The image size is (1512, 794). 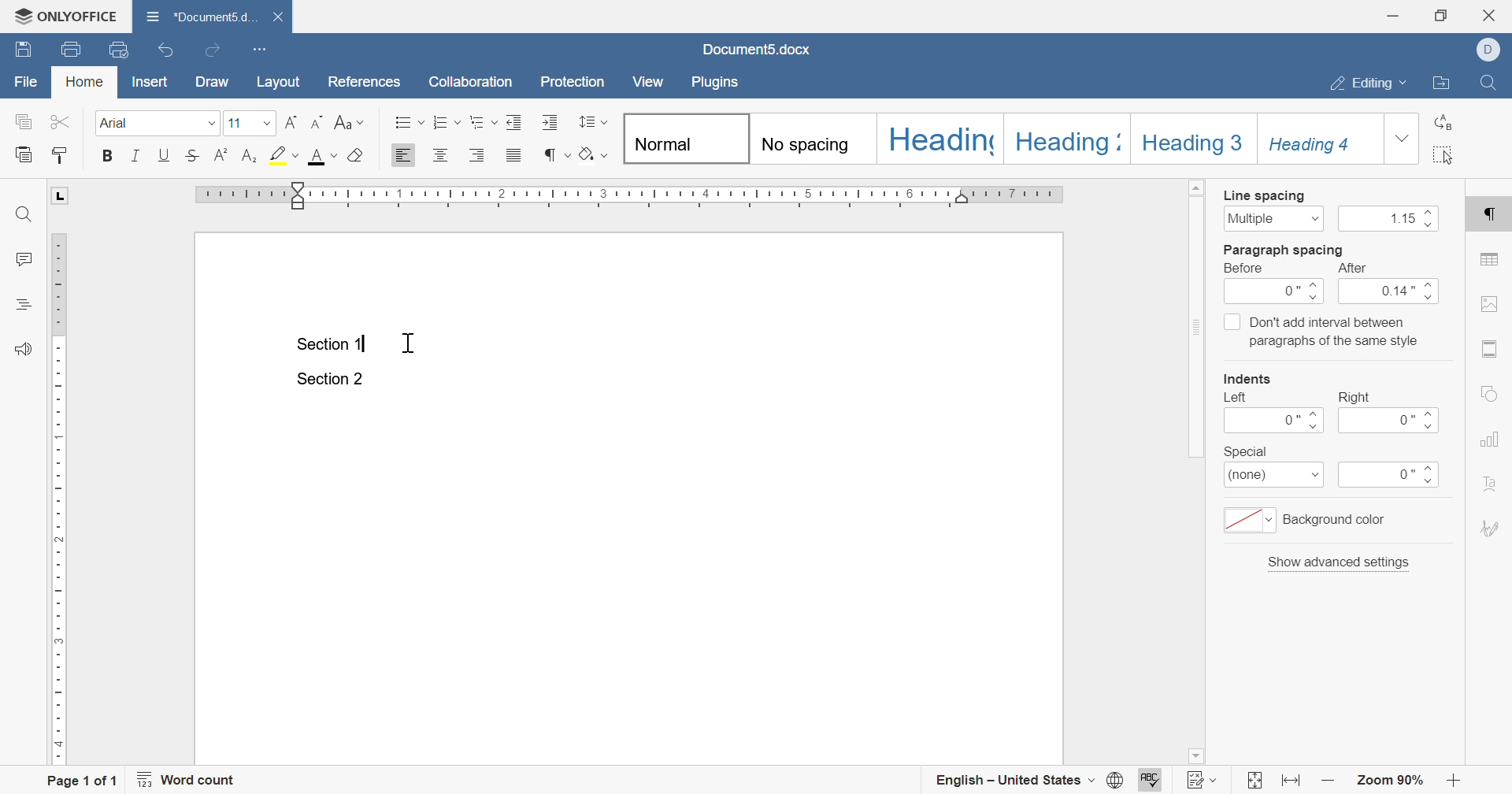 What do you see at coordinates (1392, 220) in the screenshot?
I see `1.15` at bounding box center [1392, 220].